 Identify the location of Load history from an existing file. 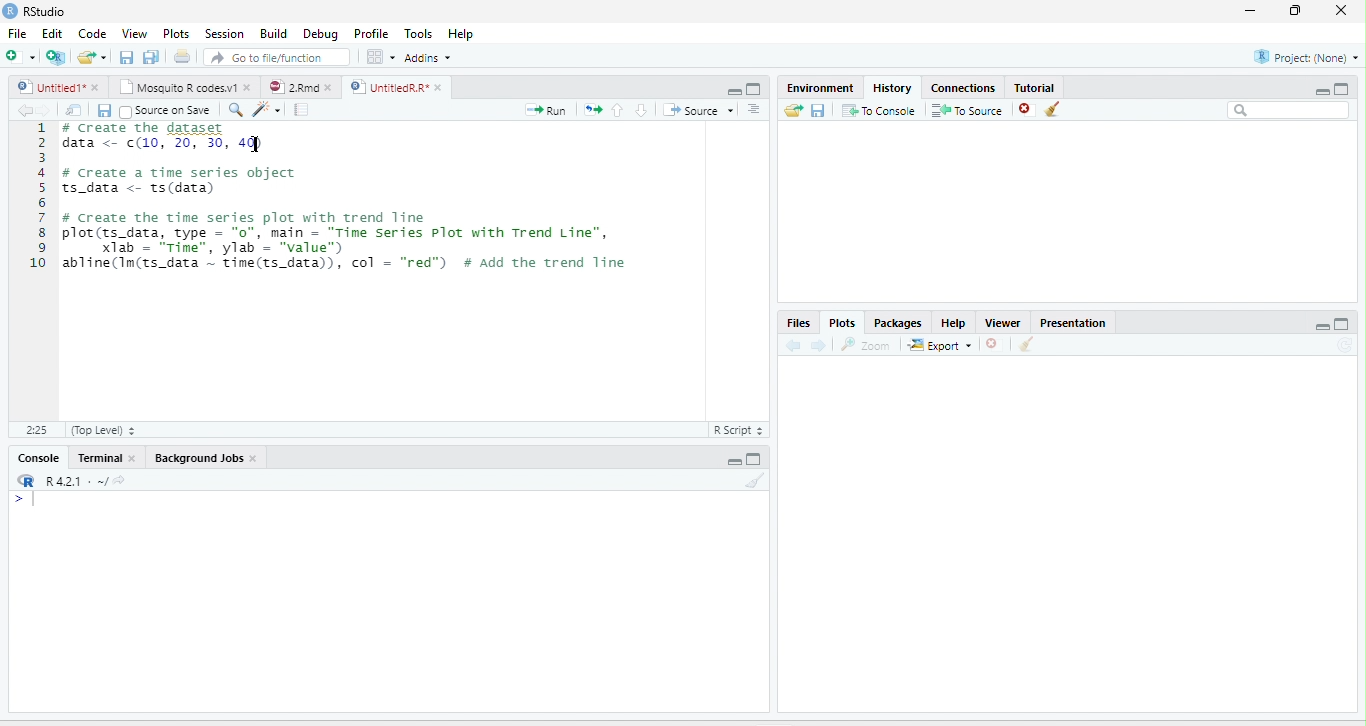
(793, 110).